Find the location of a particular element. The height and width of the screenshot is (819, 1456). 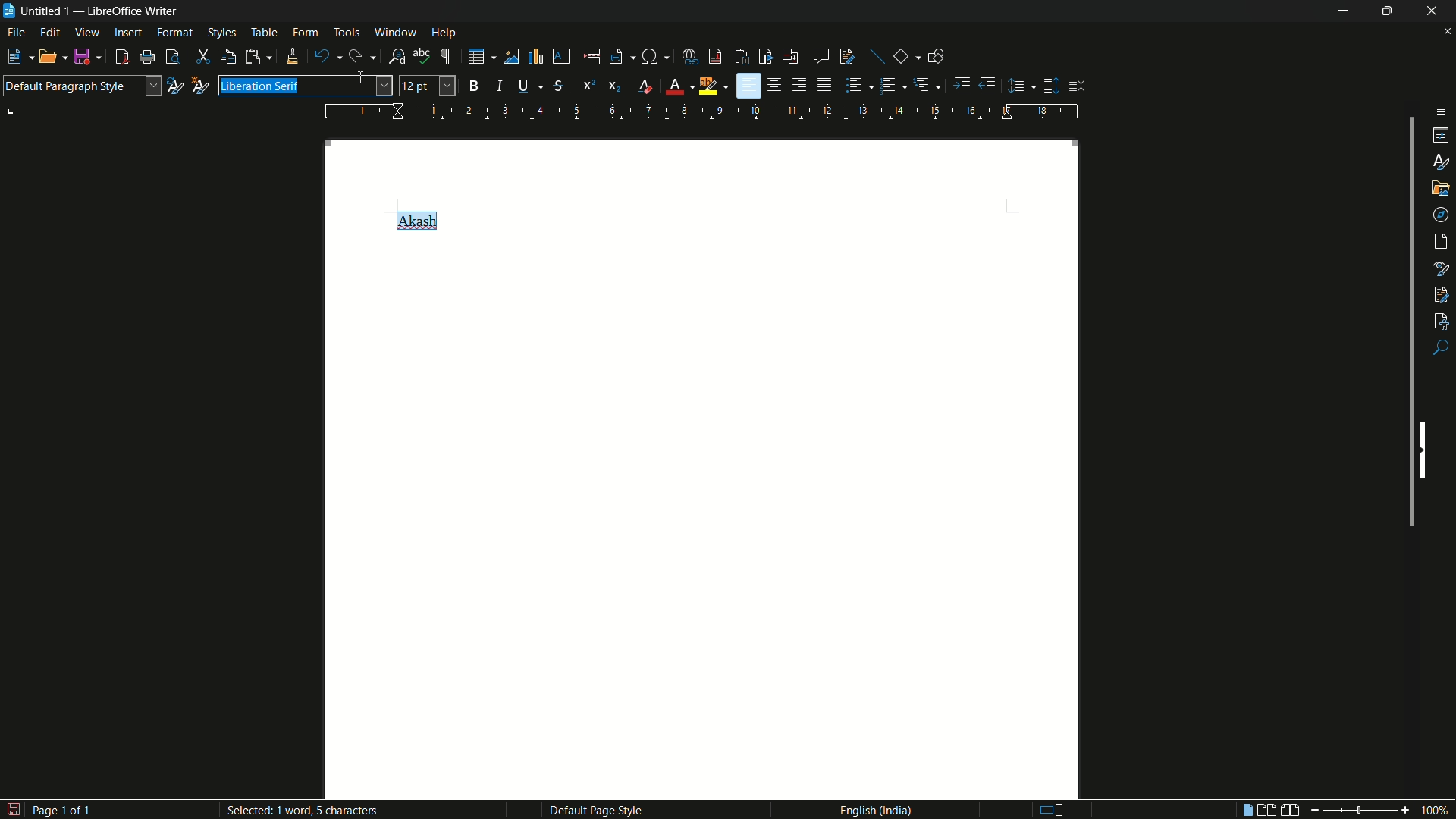

underline is located at coordinates (523, 85).